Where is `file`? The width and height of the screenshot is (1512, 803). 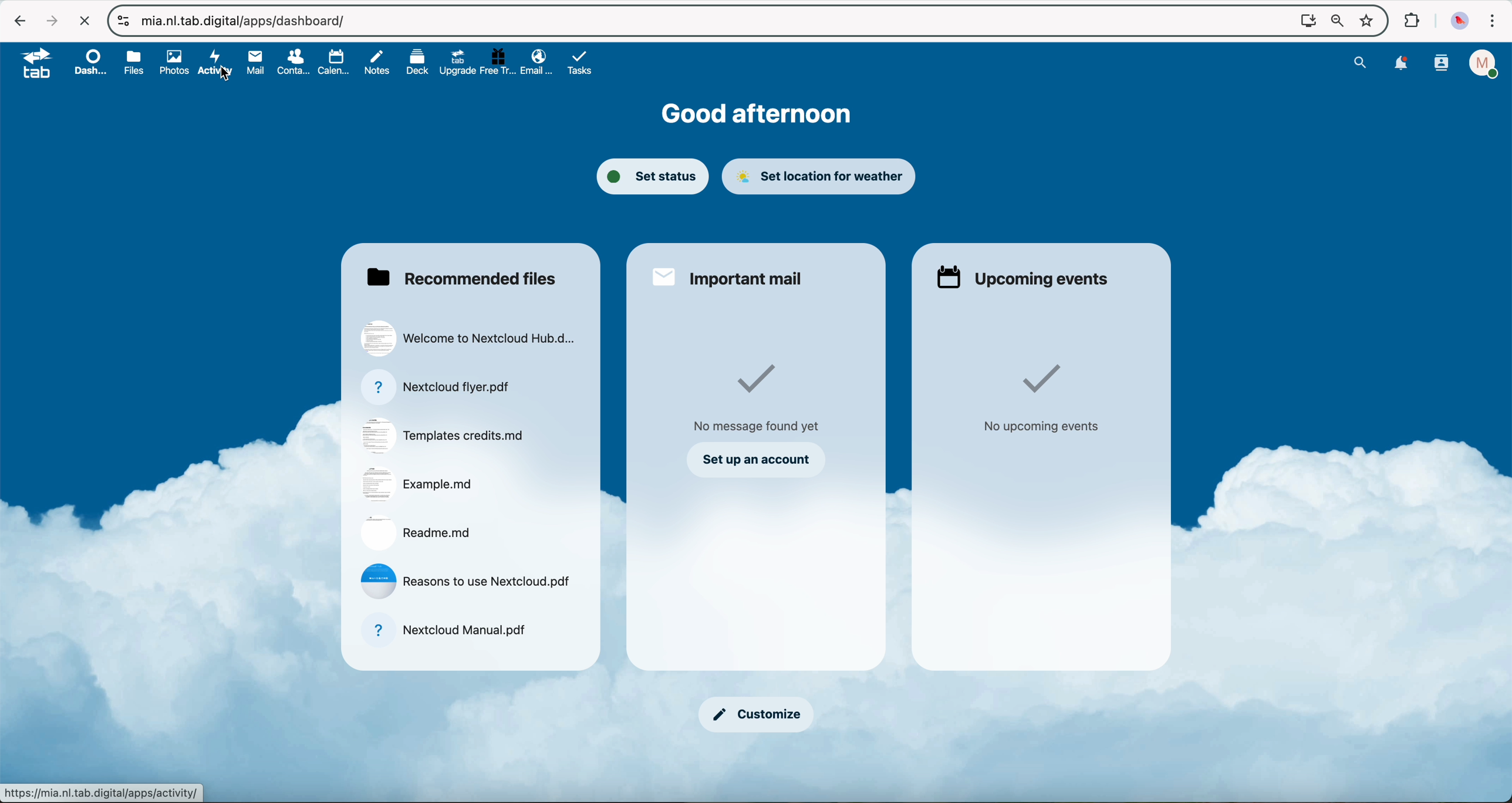 file is located at coordinates (468, 340).